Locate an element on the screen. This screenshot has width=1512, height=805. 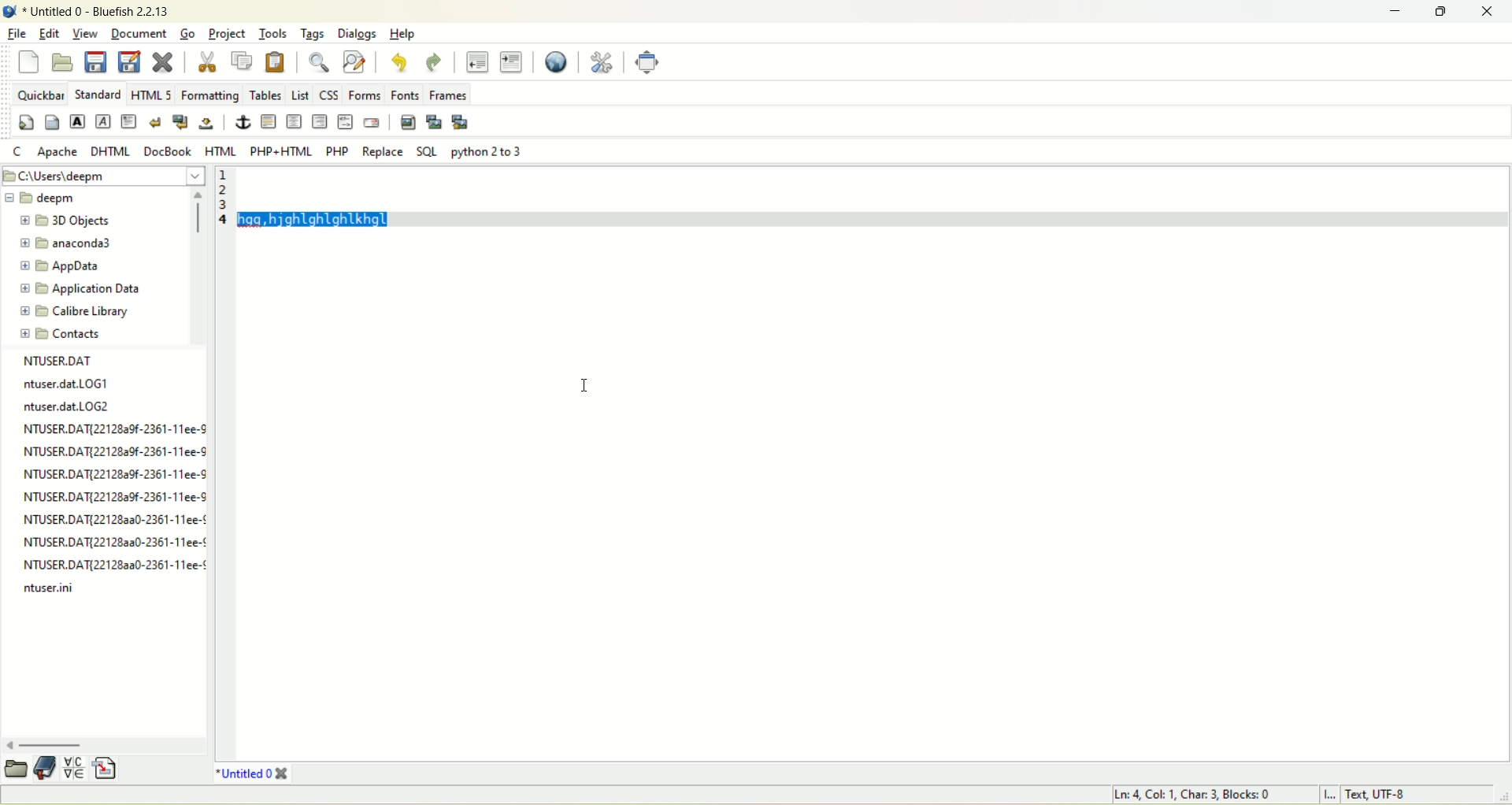
view is located at coordinates (84, 33).